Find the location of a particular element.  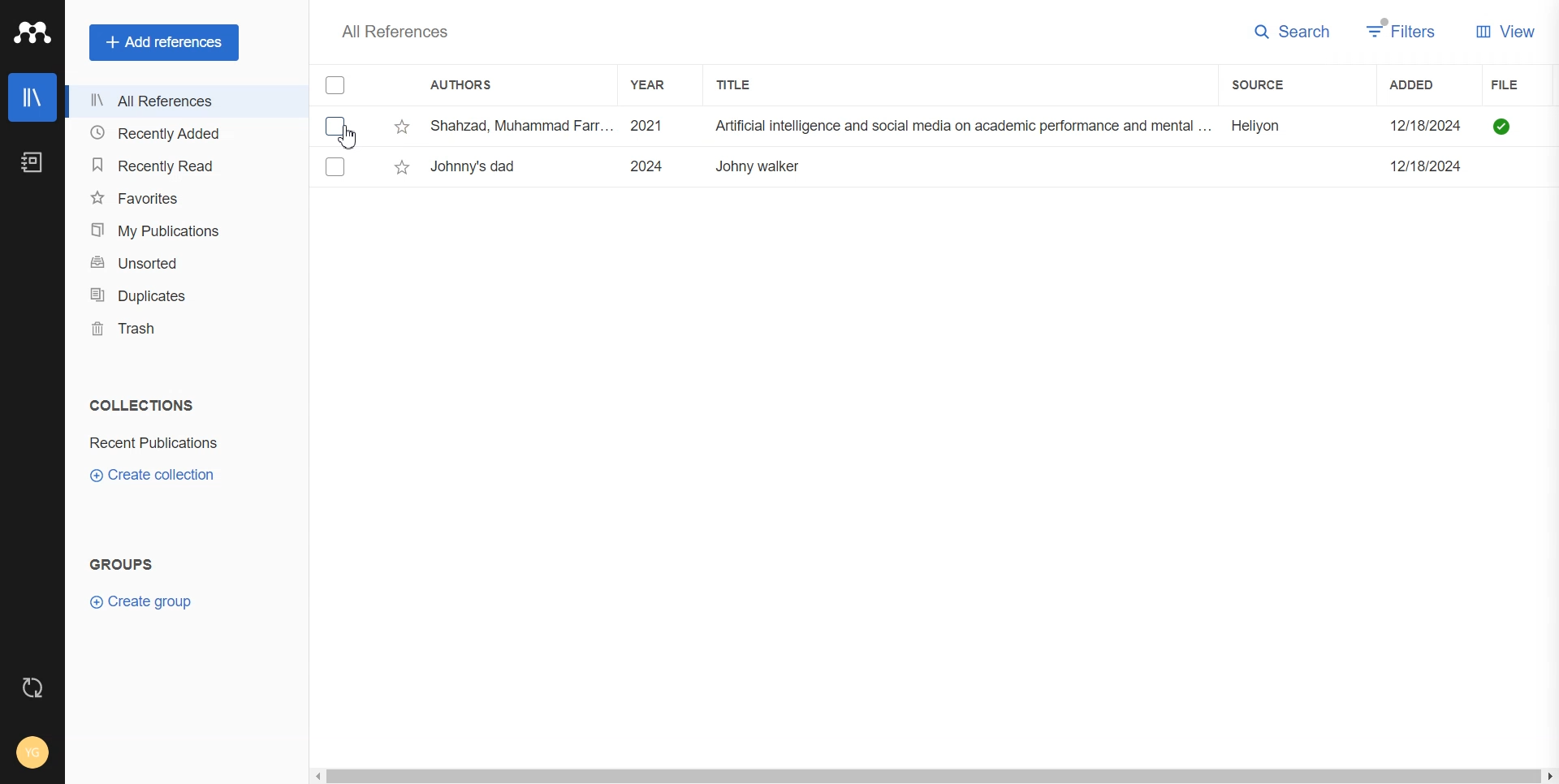

file available is located at coordinates (1502, 127).